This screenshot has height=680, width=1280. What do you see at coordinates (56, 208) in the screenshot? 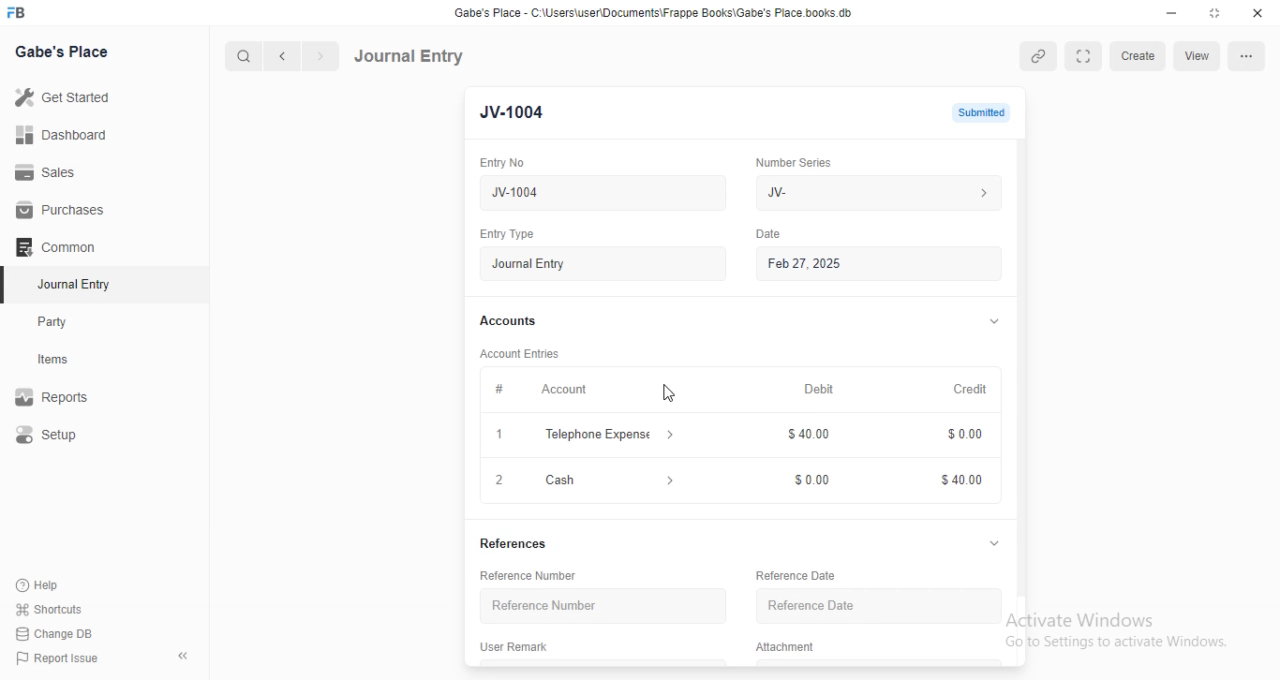
I see `Purchases` at bounding box center [56, 208].